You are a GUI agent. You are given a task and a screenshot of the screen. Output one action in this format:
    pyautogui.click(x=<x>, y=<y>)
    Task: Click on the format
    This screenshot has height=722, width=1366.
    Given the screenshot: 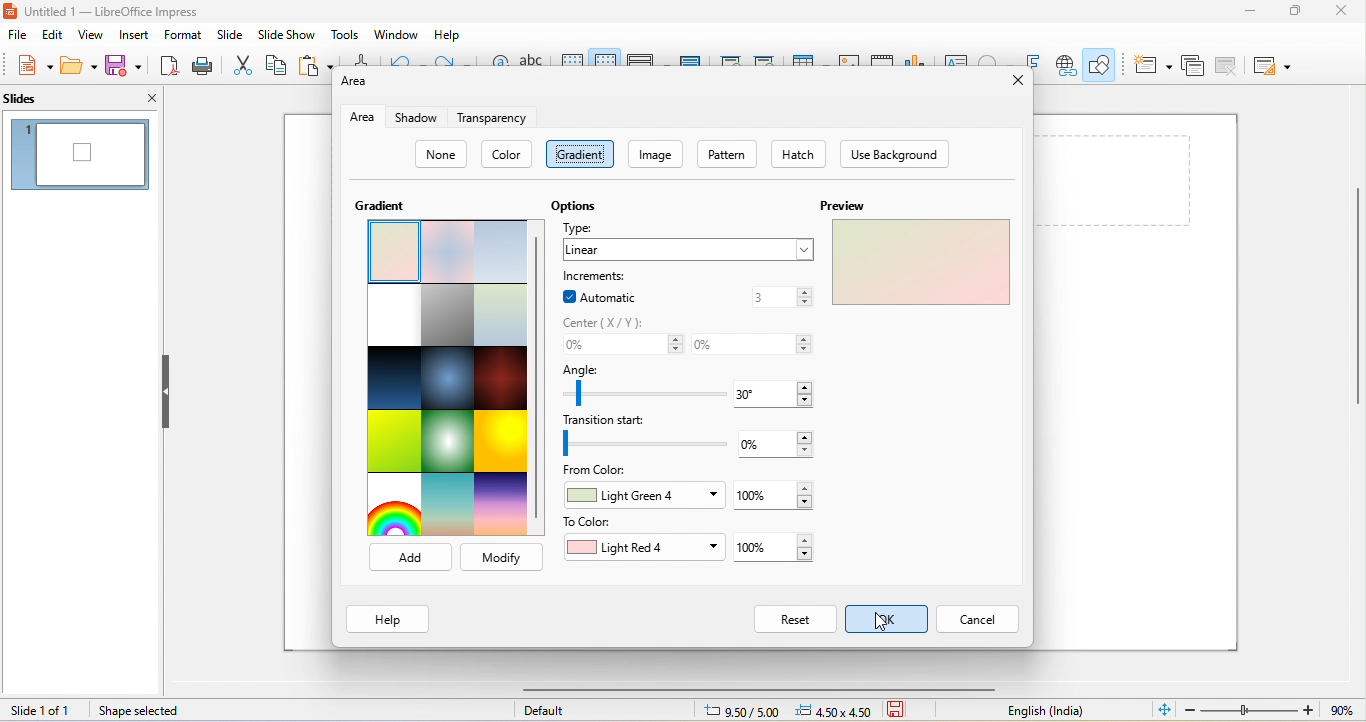 What is the action you would take?
    pyautogui.click(x=180, y=35)
    